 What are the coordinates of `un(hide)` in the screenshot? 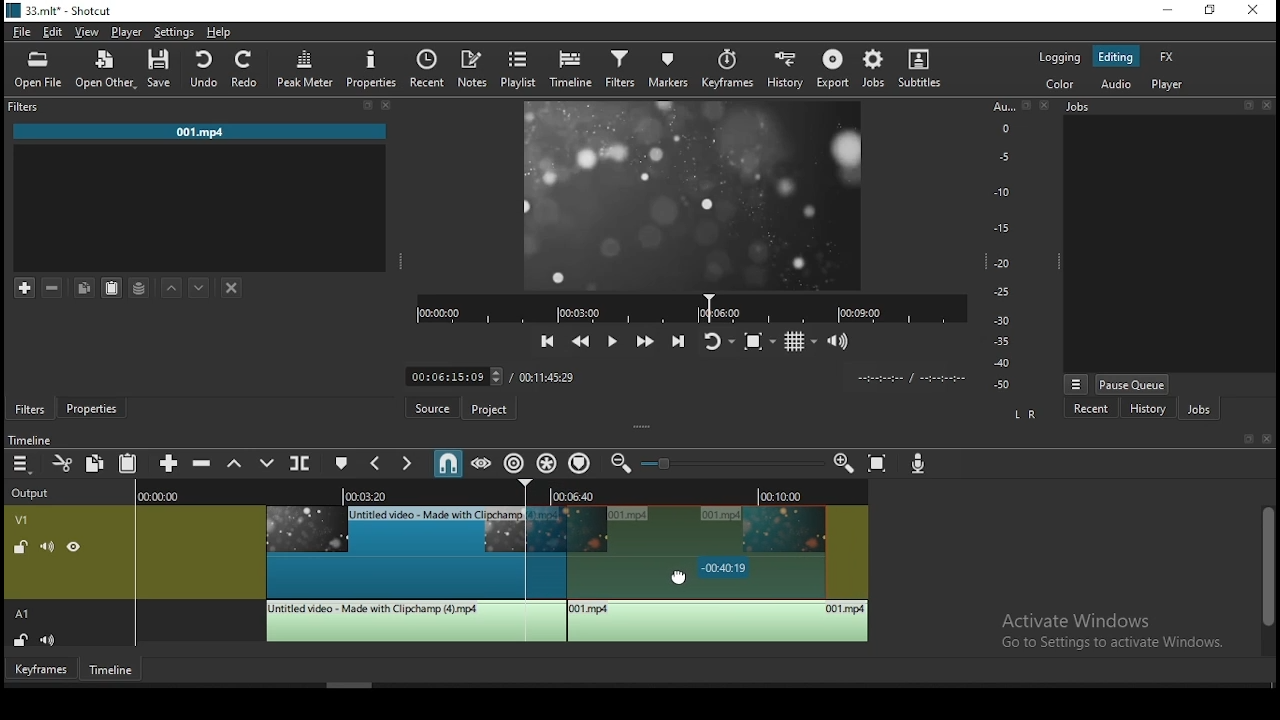 It's located at (72, 548).